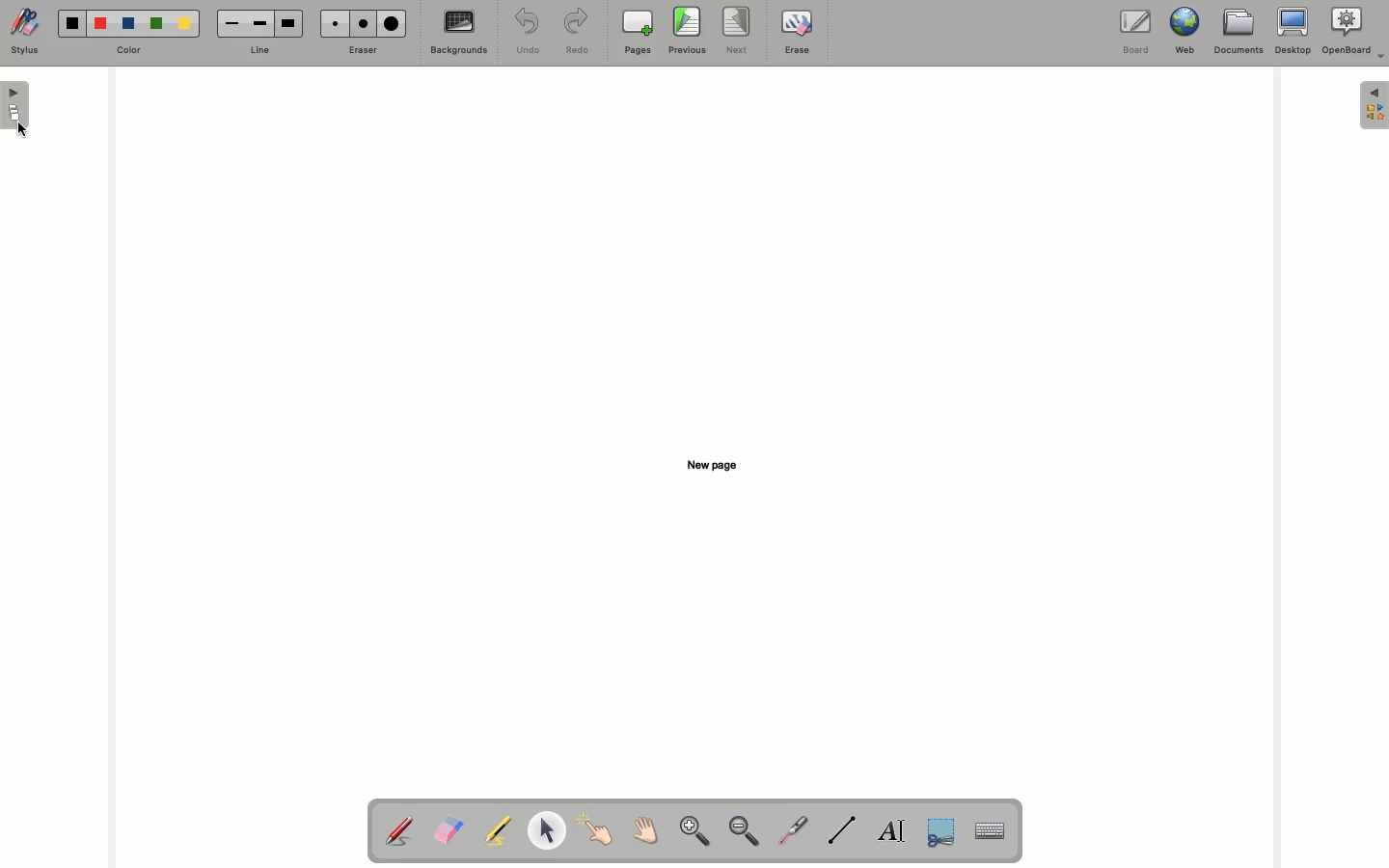 The width and height of the screenshot is (1389, 868). What do you see at coordinates (642, 829) in the screenshot?
I see `Move page` at bounding box center [642, 829].